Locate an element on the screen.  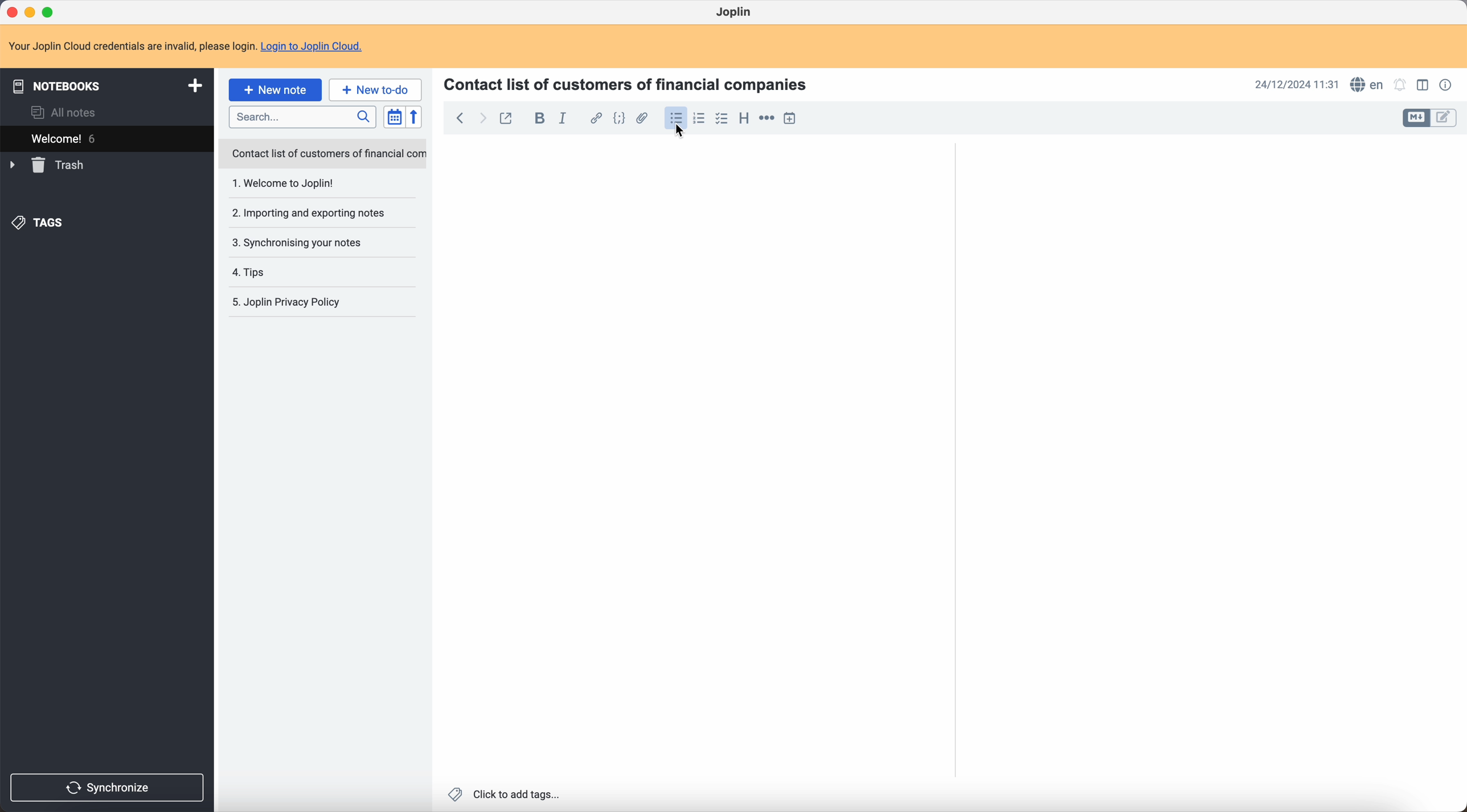
scroll bar is located at coordinates (949, 226).